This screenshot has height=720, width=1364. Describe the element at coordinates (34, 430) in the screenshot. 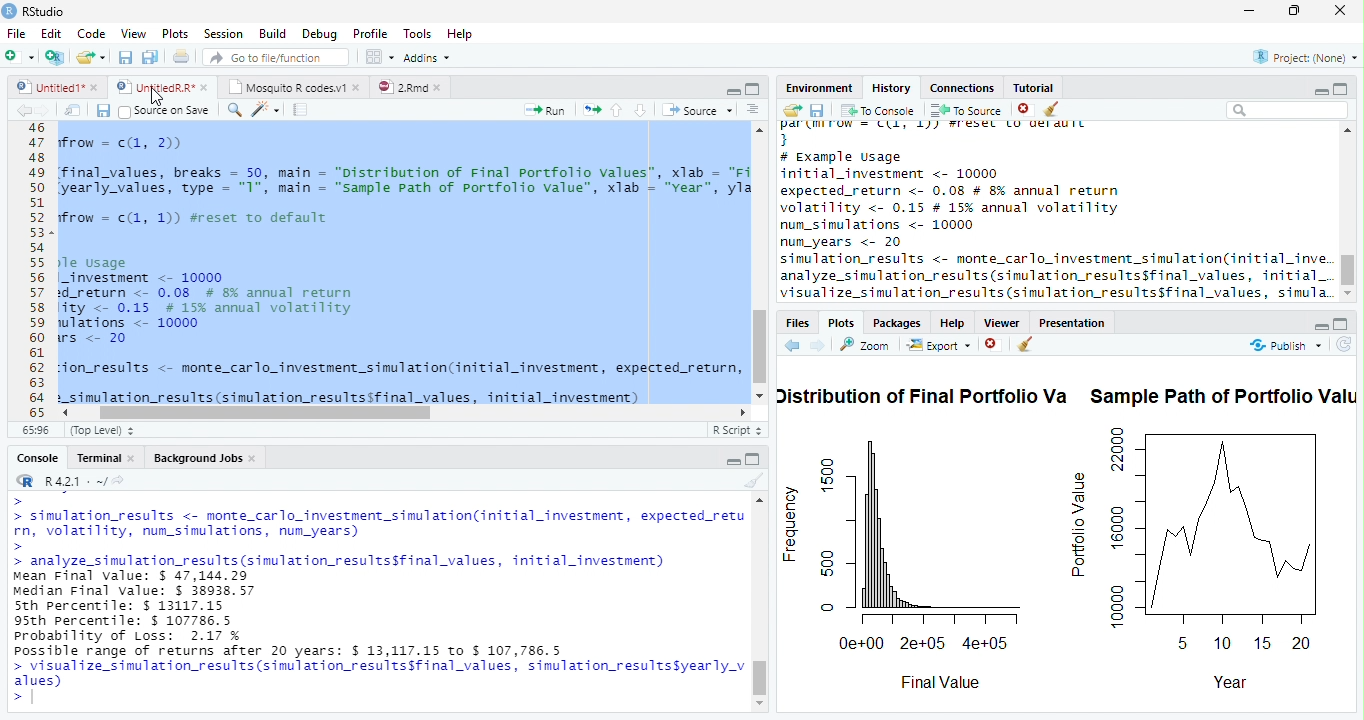

I see `1:1` at that location.